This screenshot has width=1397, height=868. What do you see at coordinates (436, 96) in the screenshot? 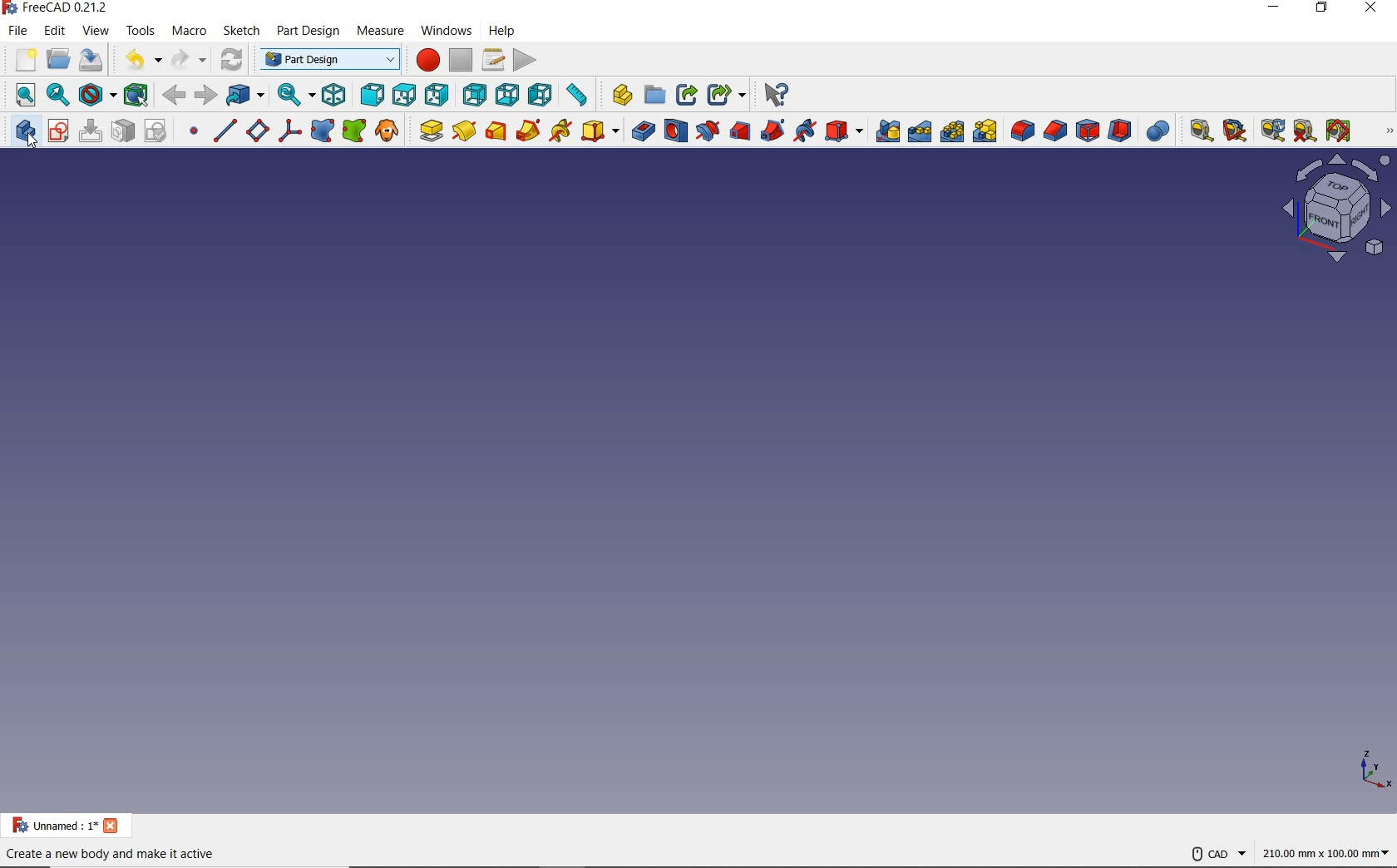
I see `right` at bounding box center [436, 96].